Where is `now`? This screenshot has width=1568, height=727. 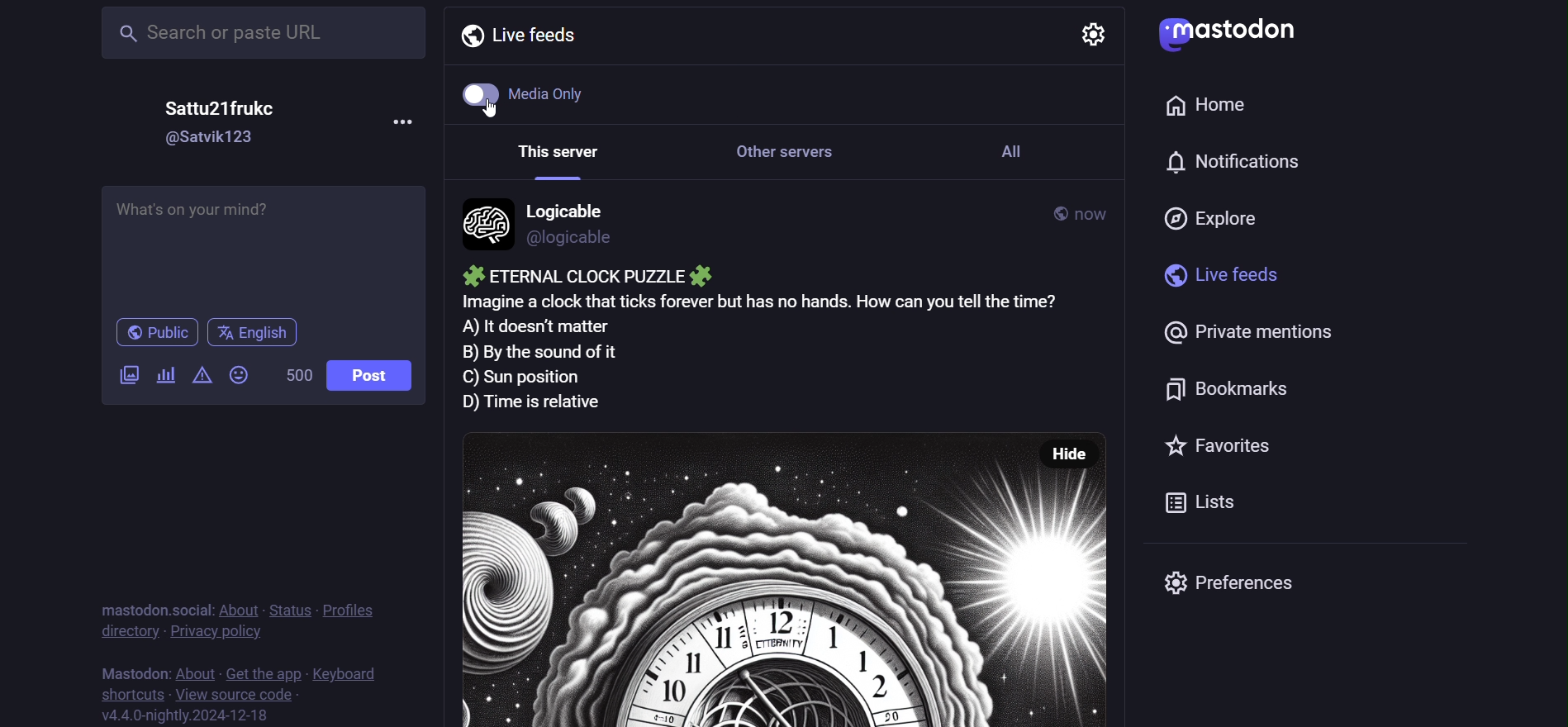
now is located at coordinates (1094, 209).